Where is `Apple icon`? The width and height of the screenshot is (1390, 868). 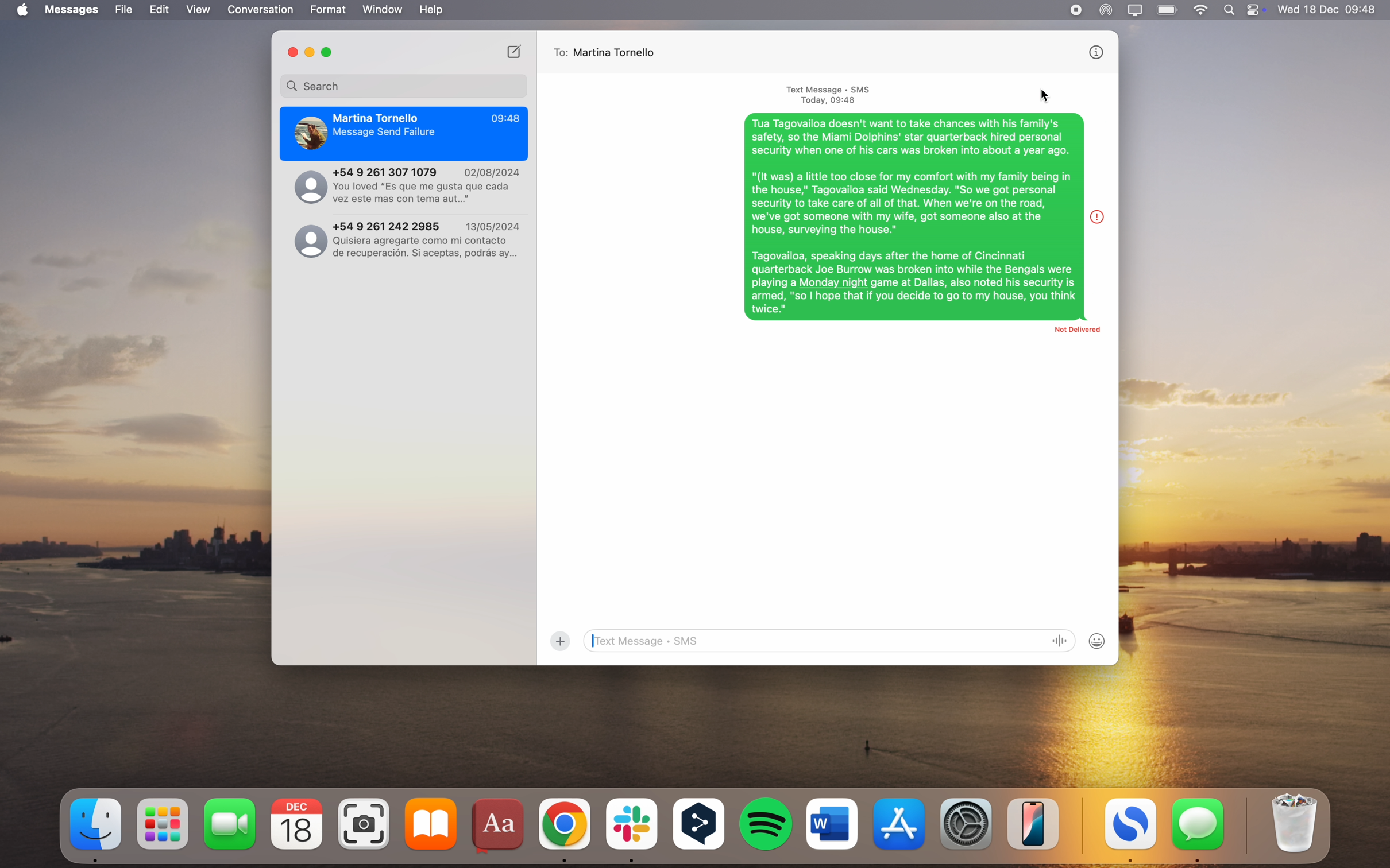 Apple icon is located at coordinates (20, 10).